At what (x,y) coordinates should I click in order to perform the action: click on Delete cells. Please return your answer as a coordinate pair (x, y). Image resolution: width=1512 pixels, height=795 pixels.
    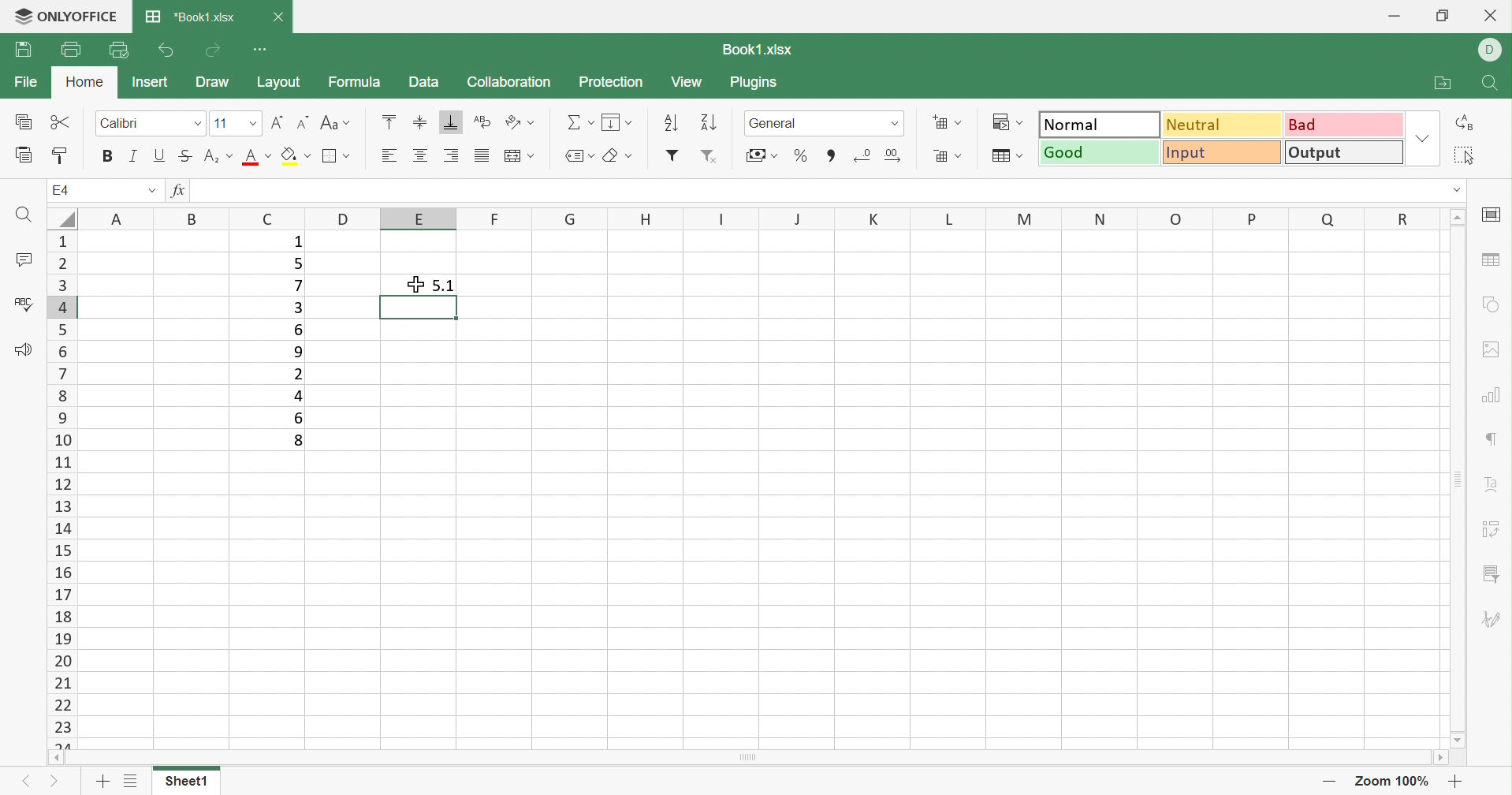
    Looking at the image, I should click on (950, 155).